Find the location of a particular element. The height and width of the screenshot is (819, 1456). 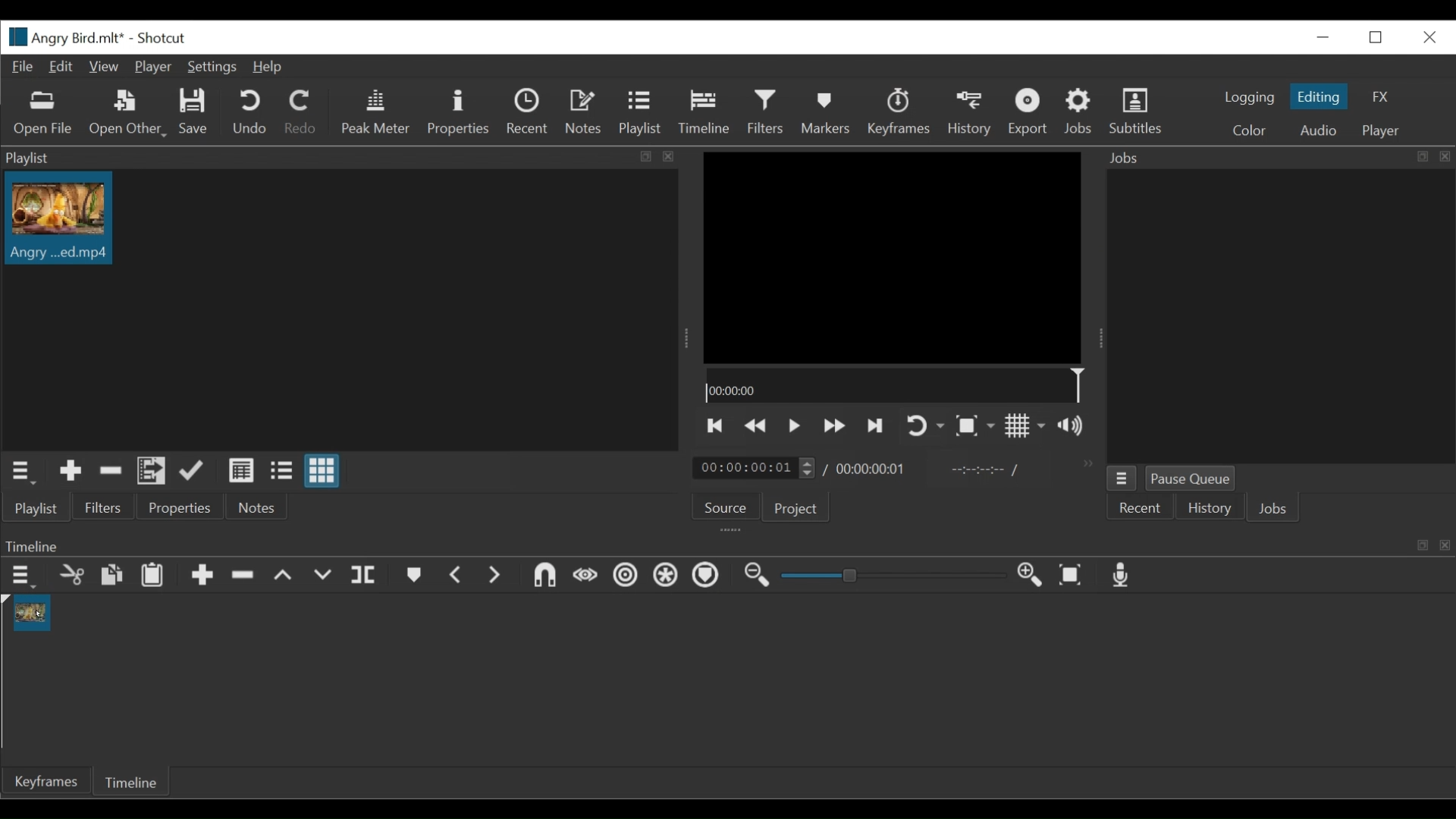

Subtitles is located at coordinates (1136, 111).